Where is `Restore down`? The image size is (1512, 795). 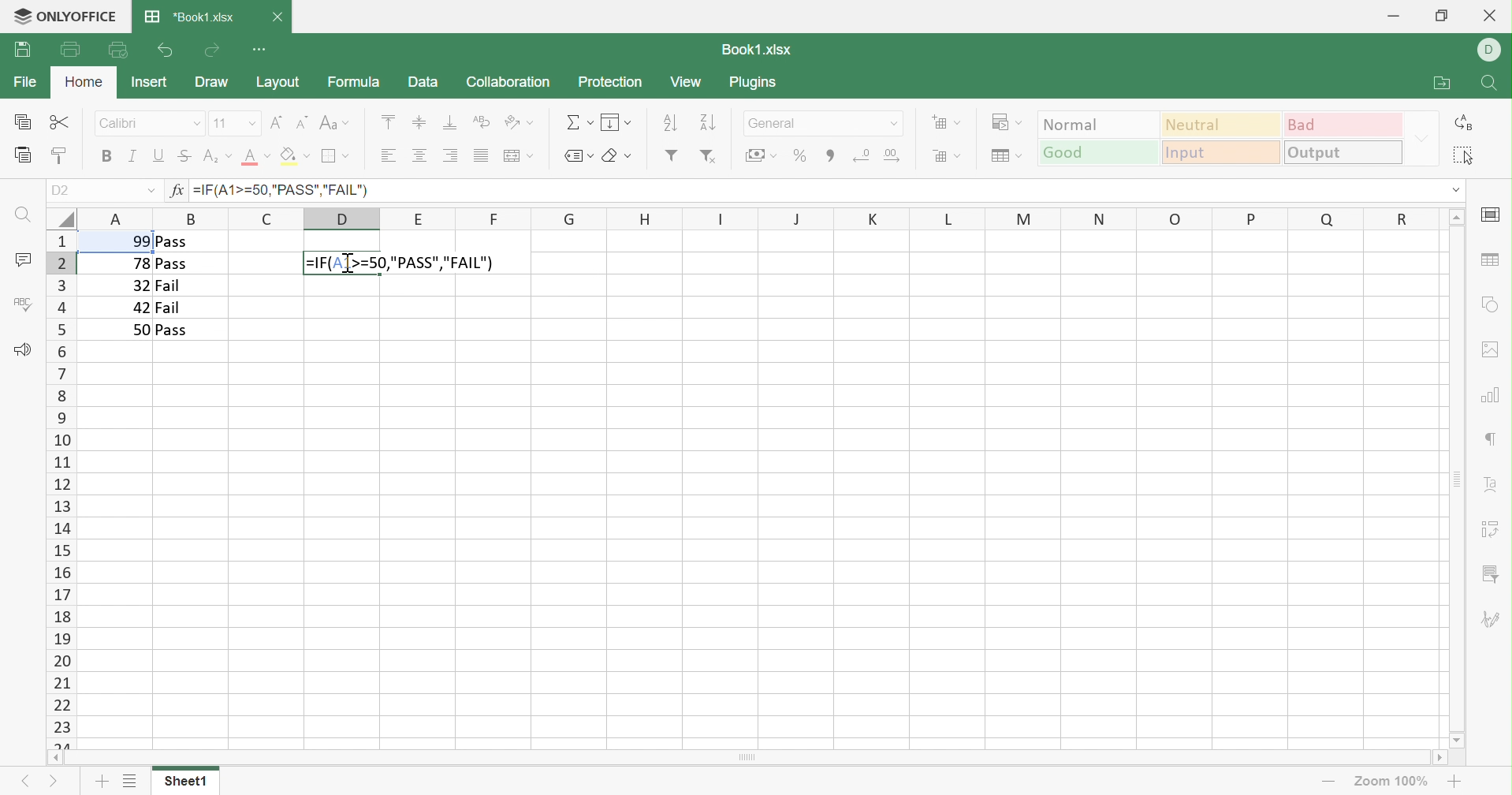
Restore down is located at coordinates (1441, 15).